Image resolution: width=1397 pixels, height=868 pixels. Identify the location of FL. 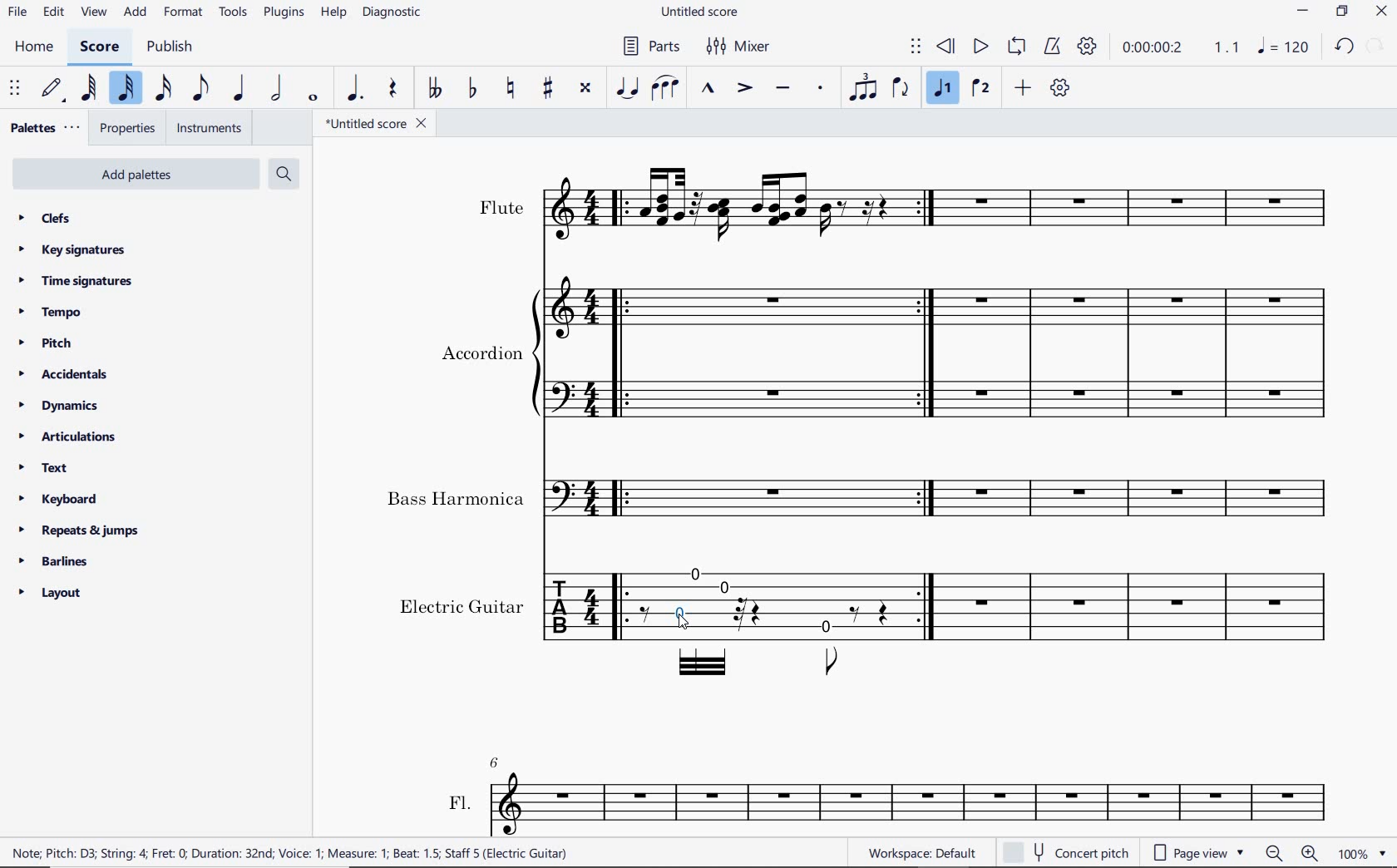
(894, 796).